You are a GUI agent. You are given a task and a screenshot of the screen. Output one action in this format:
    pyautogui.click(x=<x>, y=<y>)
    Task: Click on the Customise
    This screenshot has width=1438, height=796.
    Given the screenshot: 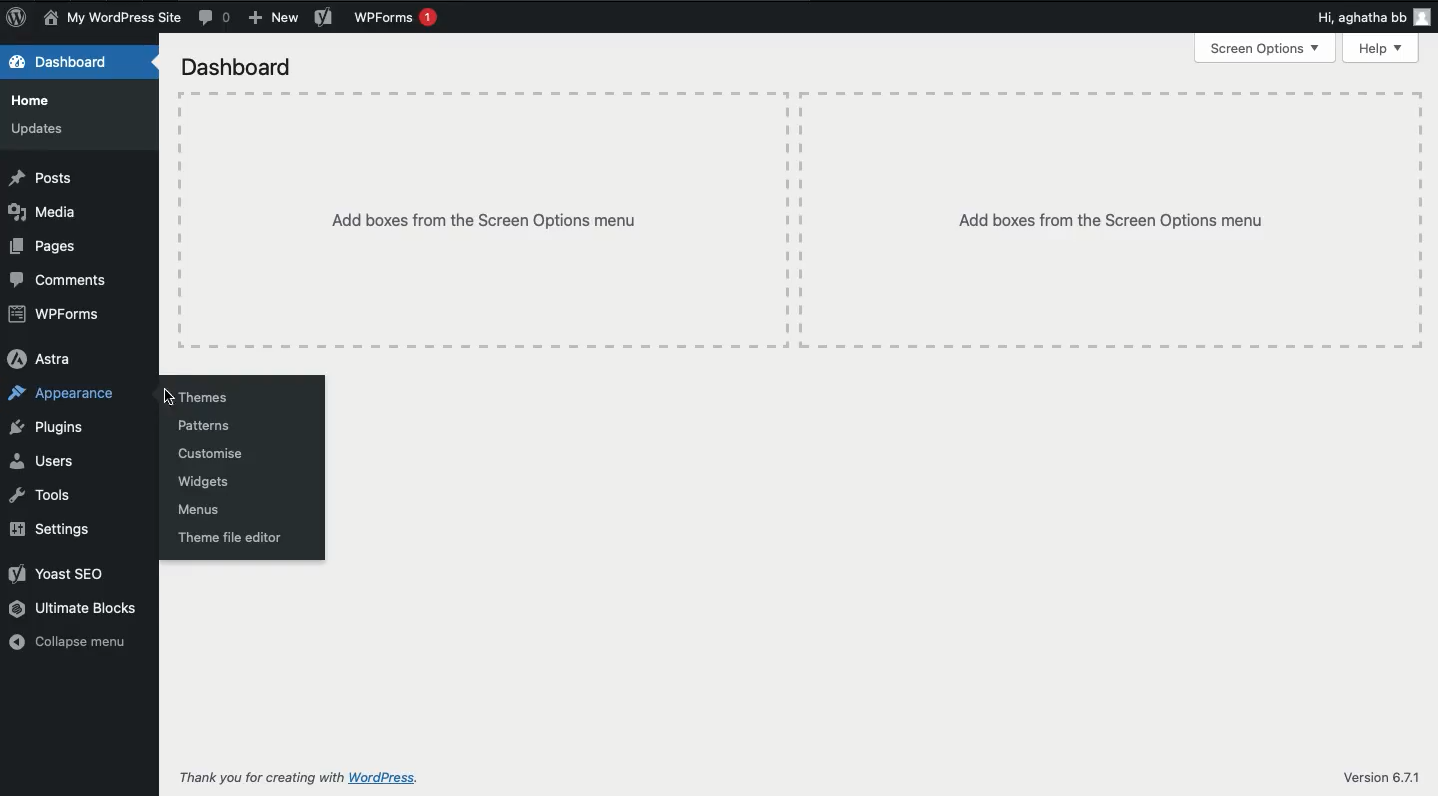 What is the action you would take?
    pyautogui.click(x=209, y=453)
    